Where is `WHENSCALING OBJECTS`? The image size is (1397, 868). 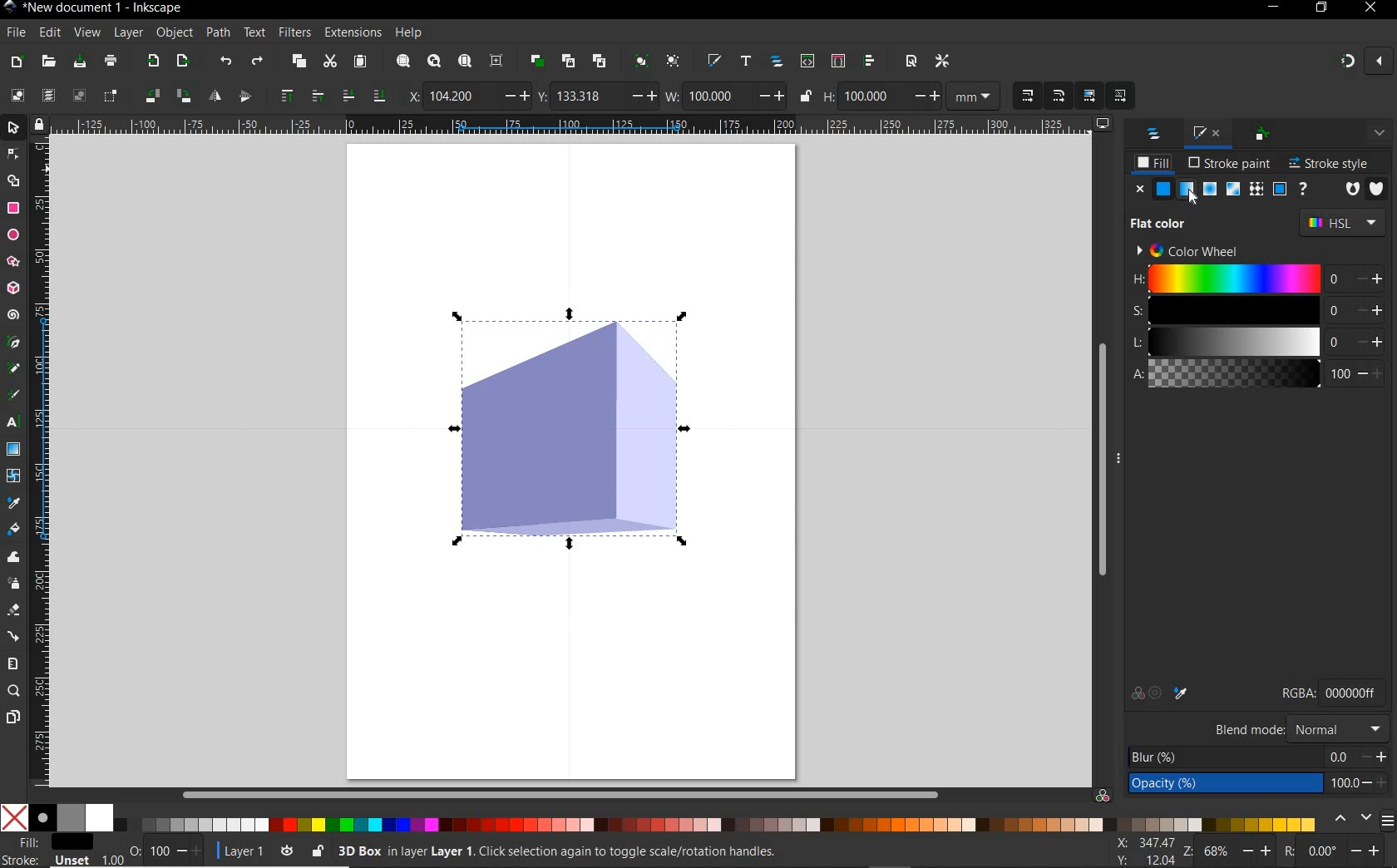
WHENSCALING OBJECTS is located at coordinates (1029, 96).